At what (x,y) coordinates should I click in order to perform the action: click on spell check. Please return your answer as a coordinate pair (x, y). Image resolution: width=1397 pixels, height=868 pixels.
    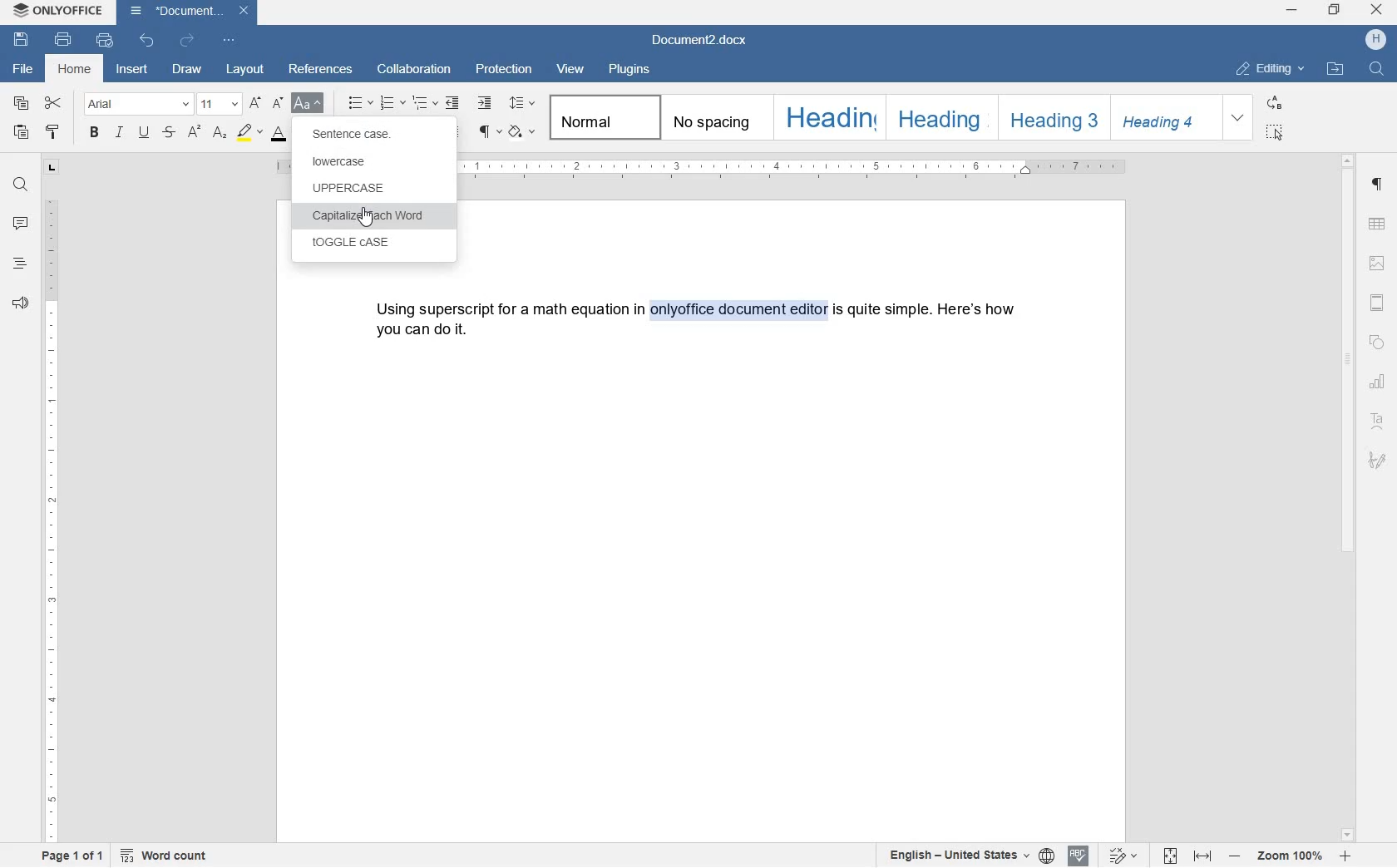
    Looking at the image, I should click on (1077, 856).